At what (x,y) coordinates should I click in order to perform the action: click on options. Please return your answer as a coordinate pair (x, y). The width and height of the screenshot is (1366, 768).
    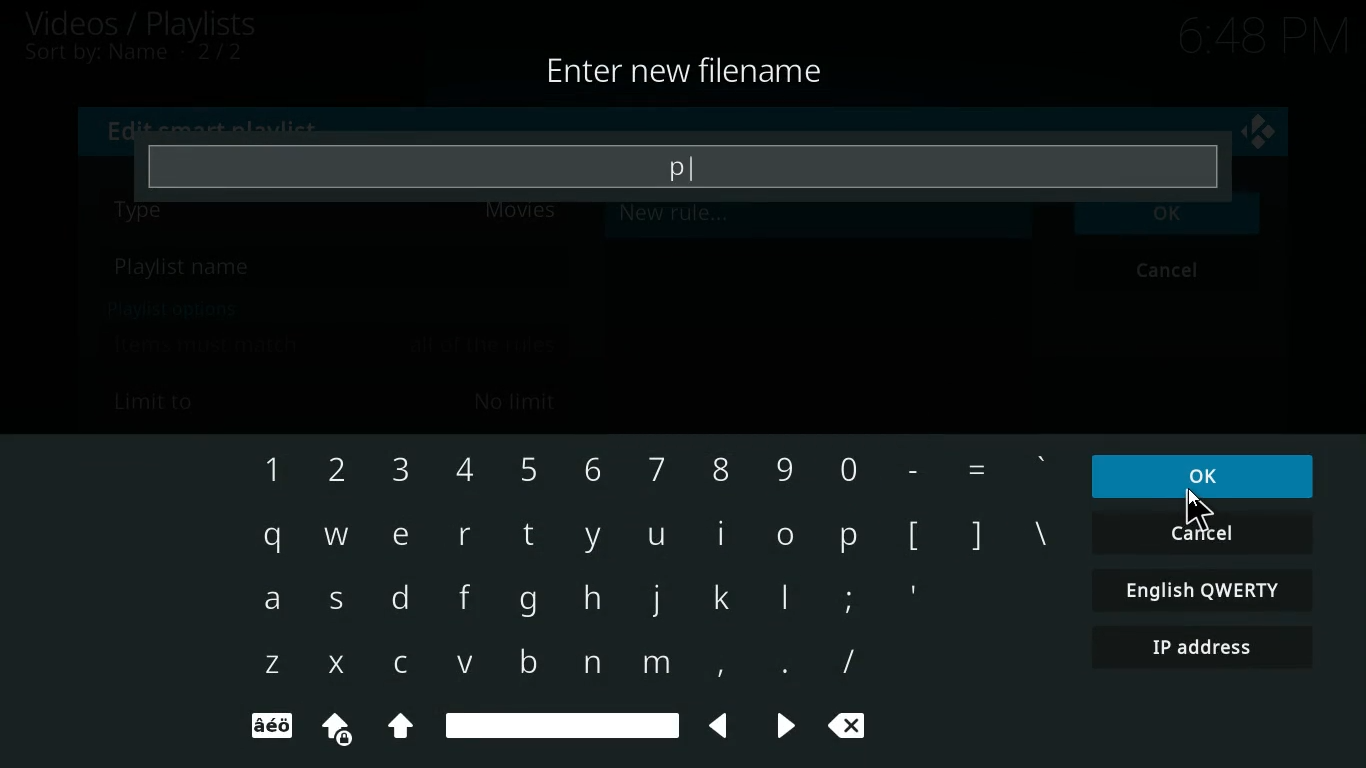
    Looking at the image, I should click on (167, 308).